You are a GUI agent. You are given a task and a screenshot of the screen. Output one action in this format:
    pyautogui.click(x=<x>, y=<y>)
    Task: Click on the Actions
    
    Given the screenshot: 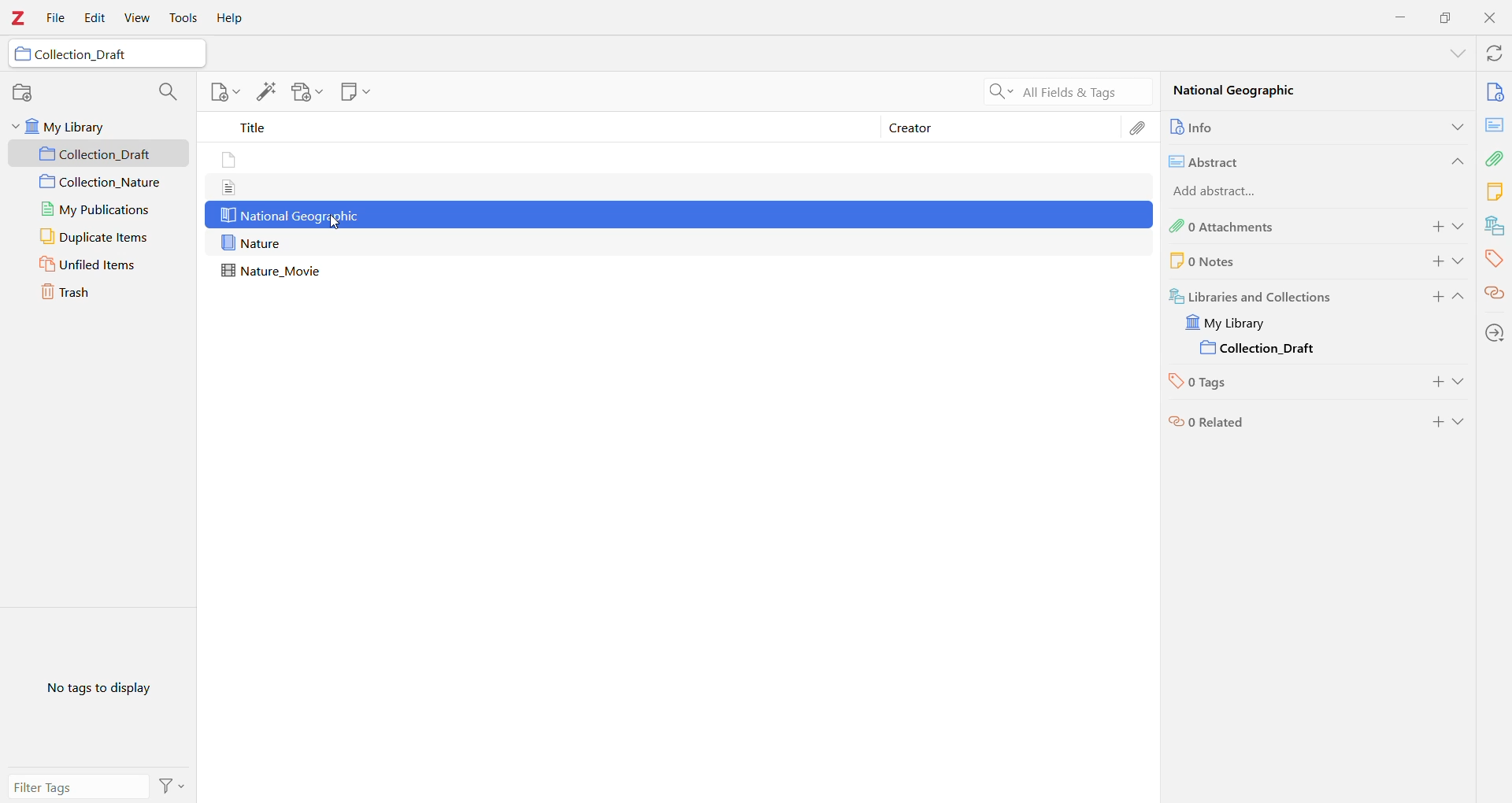 What is the action you would take?
    pyautogui.click(x=172, y=785)
    